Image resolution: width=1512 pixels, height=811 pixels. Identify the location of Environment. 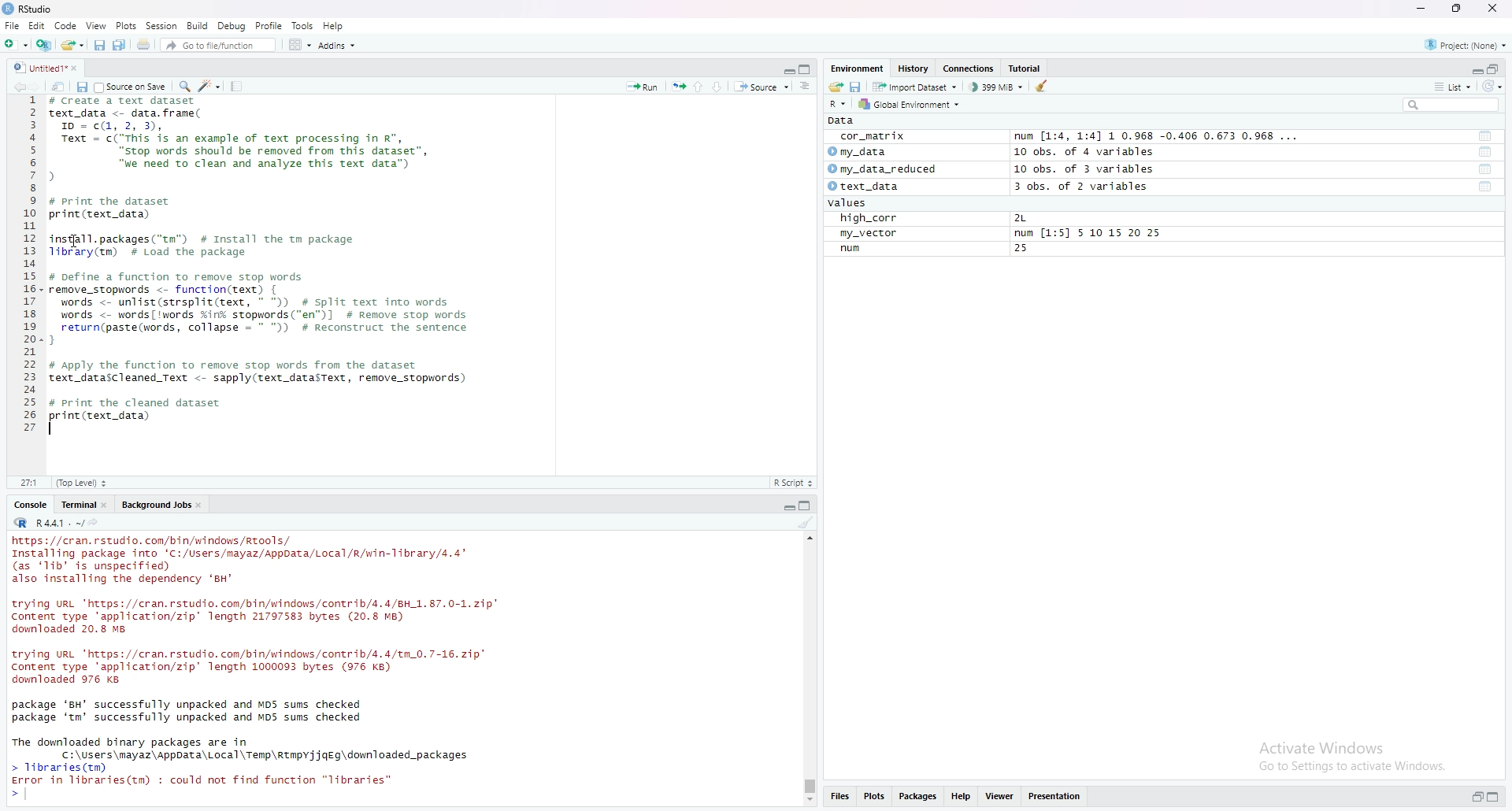
(858, 68).